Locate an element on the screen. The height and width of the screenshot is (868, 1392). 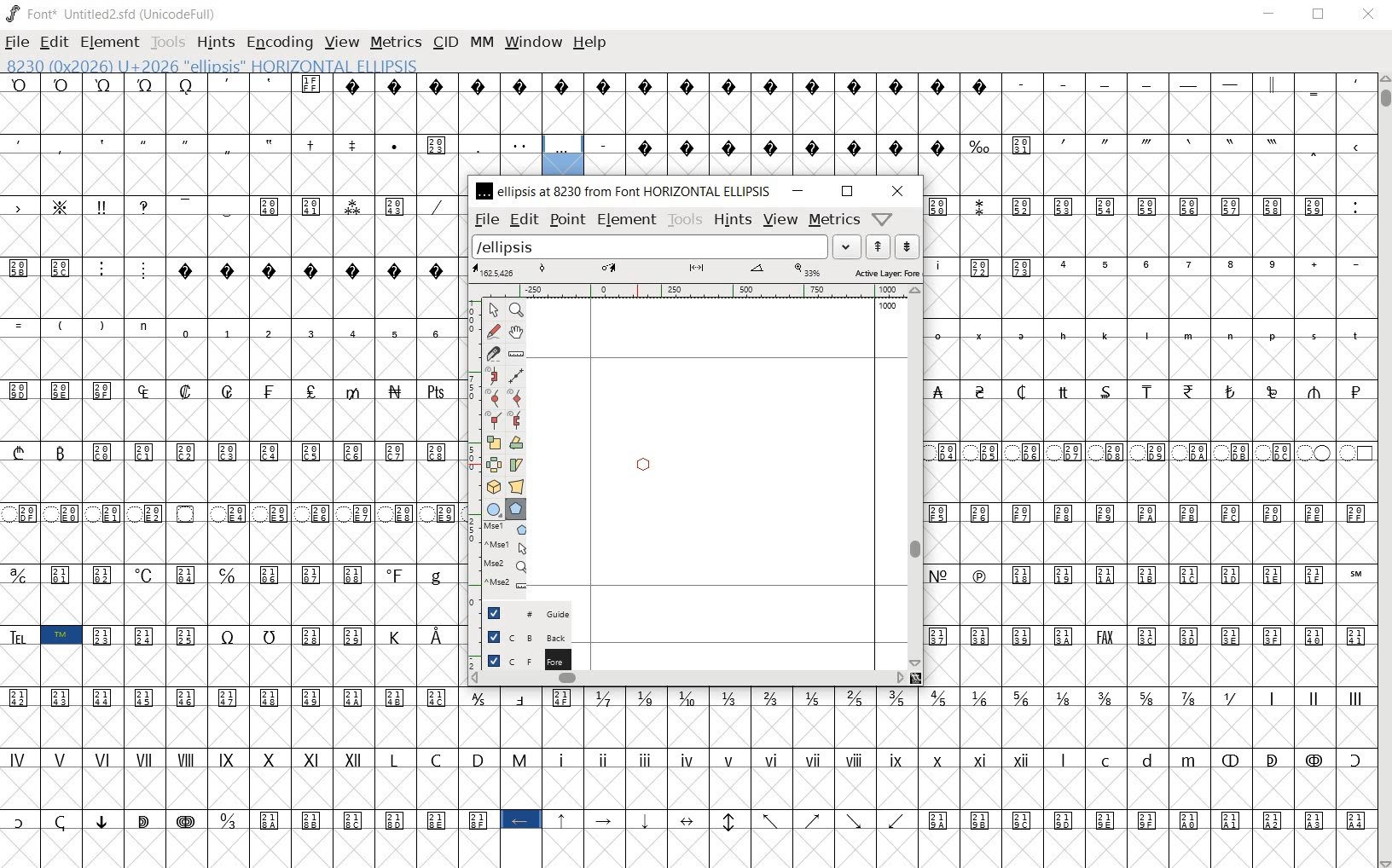
VIEW is located at coordinates (340, 43).